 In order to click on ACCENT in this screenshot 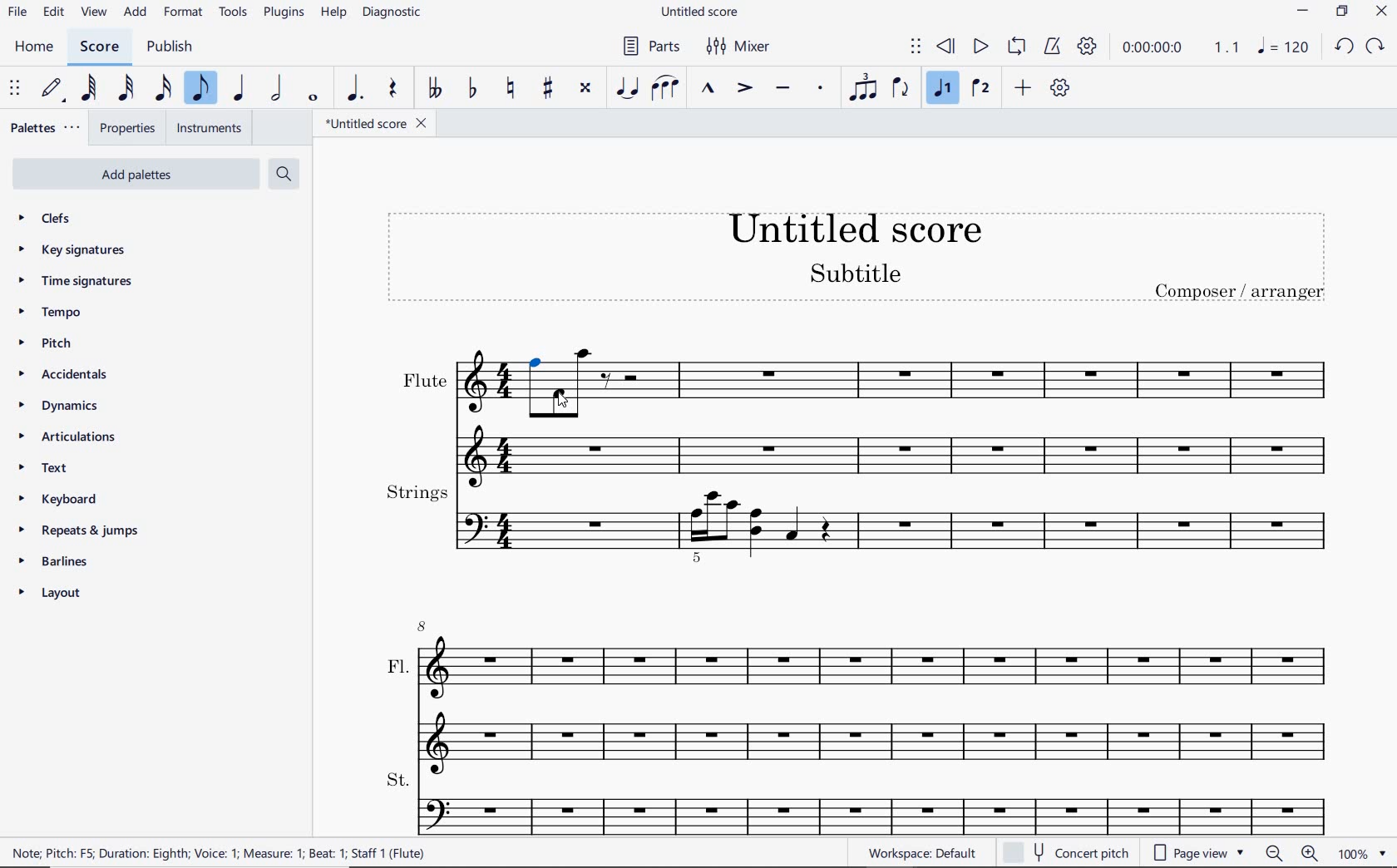, I will do `click(744, 89)`.